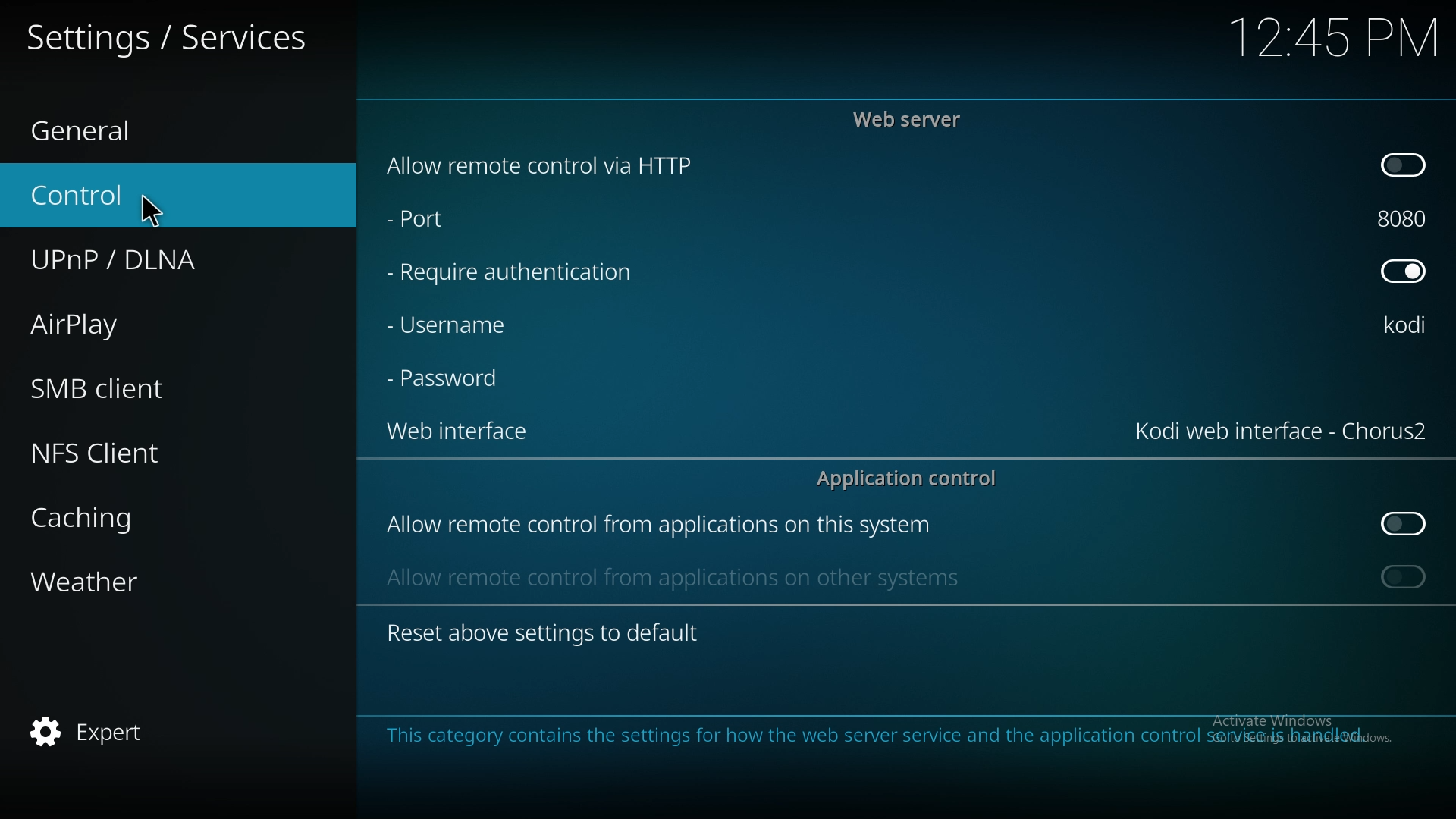  Describe the element at coordinates (542, 166) in the screenshot. I see `allow remote control via http` at that location.